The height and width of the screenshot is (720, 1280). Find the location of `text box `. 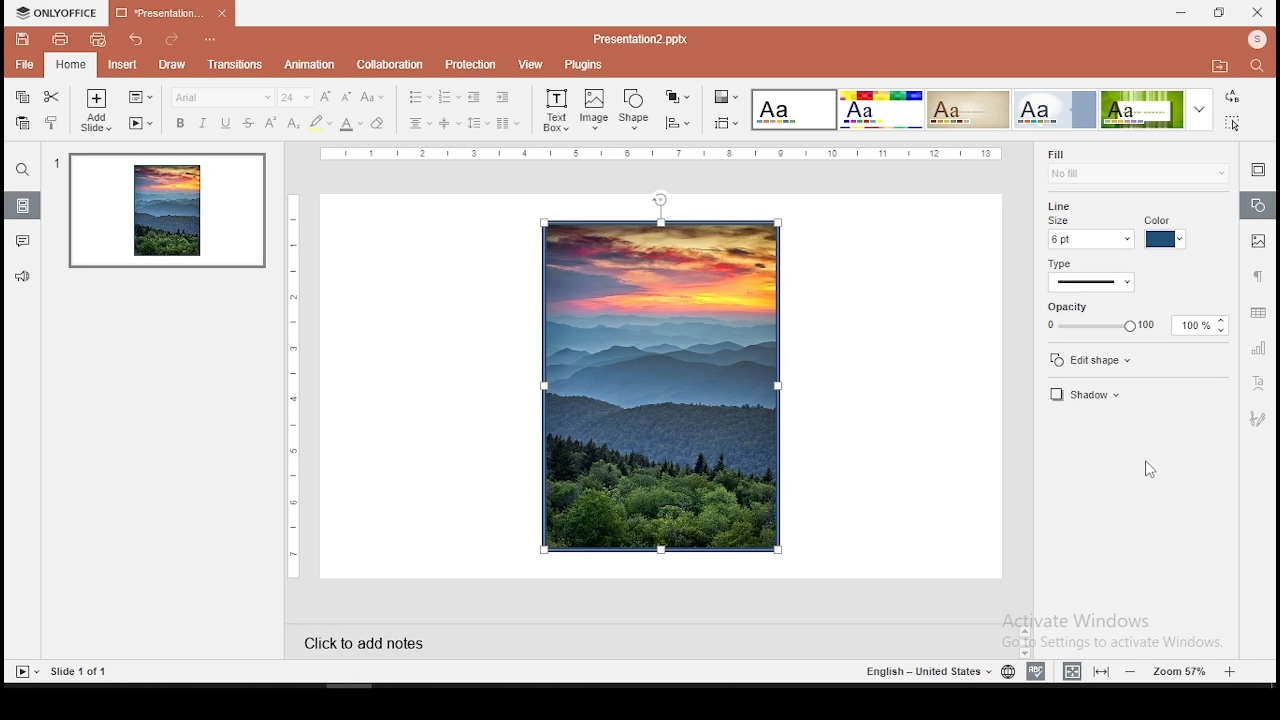

text box  is located at coordinates (554, 110).